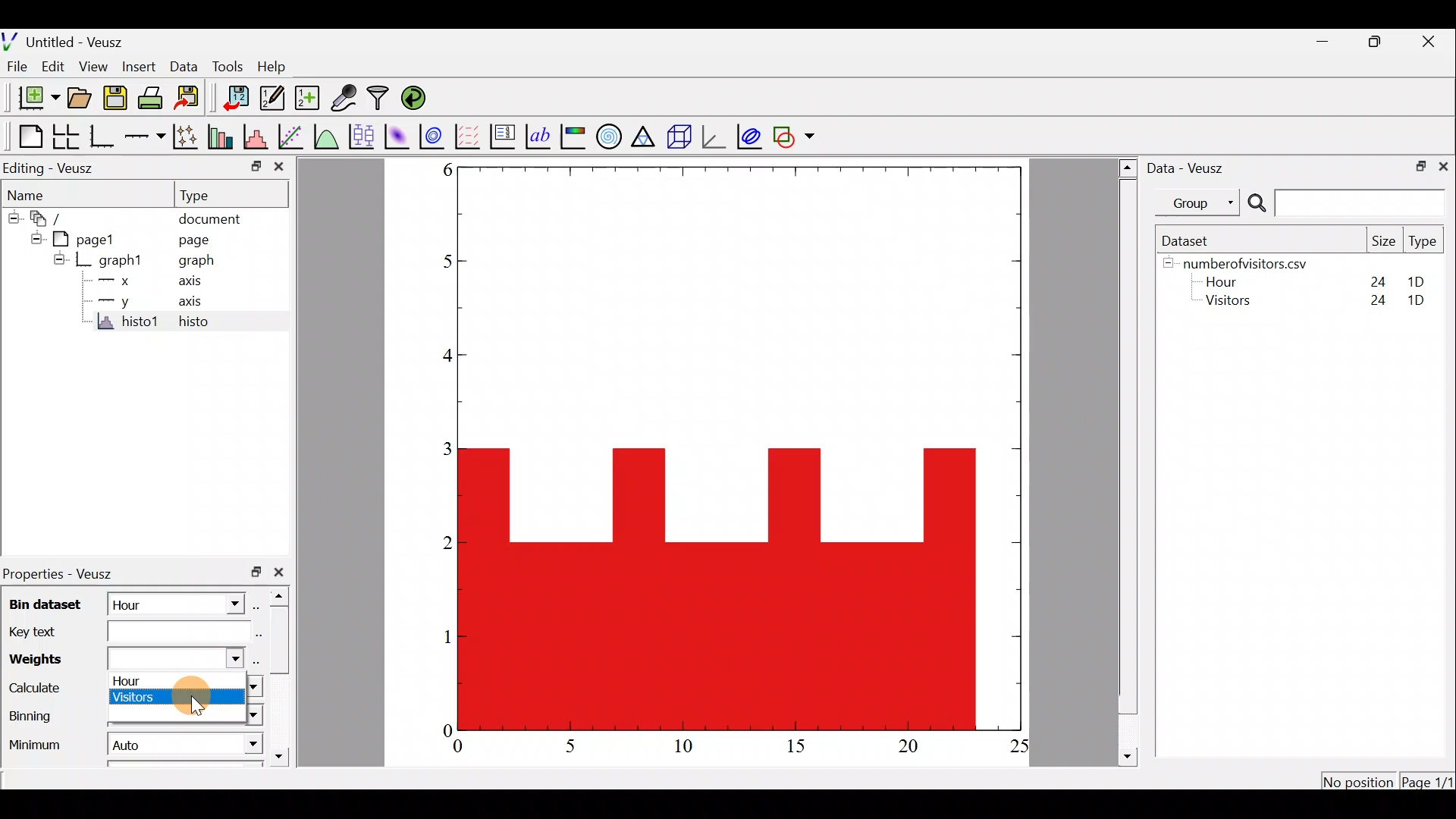  Describe the element at coordinates (249, 168) in the screenshot. I see `restore down` at that location.